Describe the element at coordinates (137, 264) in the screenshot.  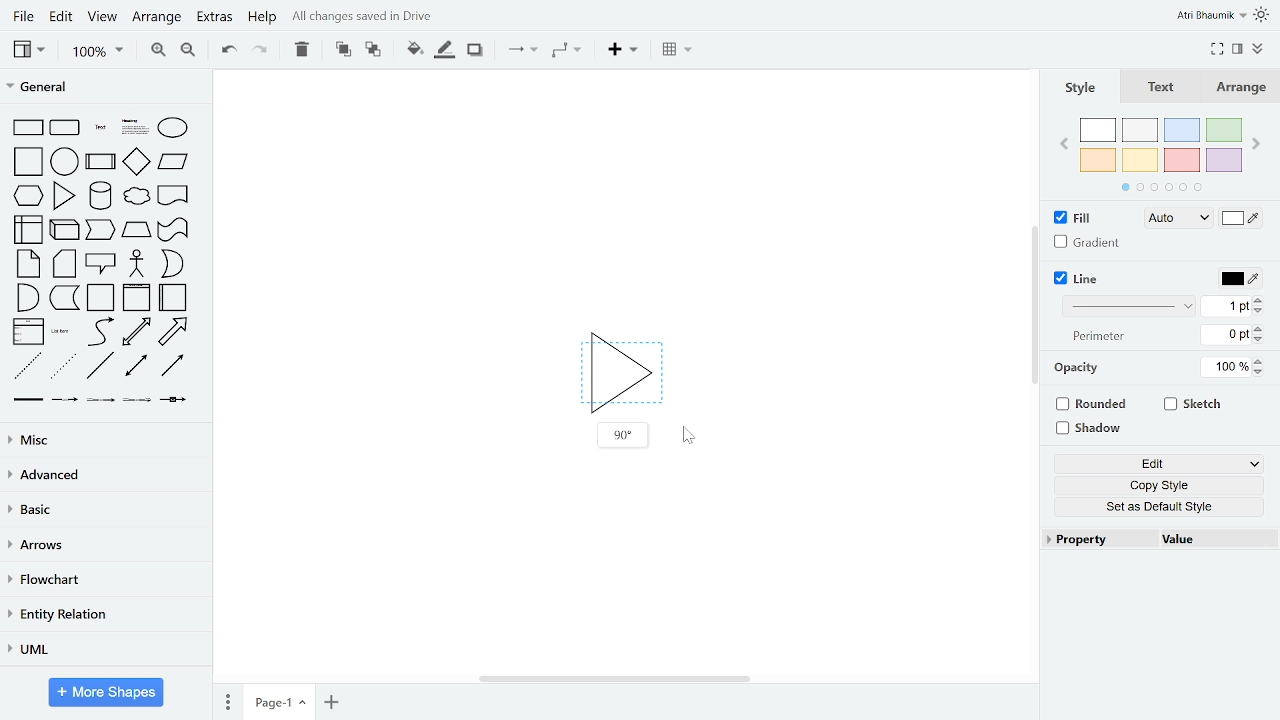
I see `actor` at that location.